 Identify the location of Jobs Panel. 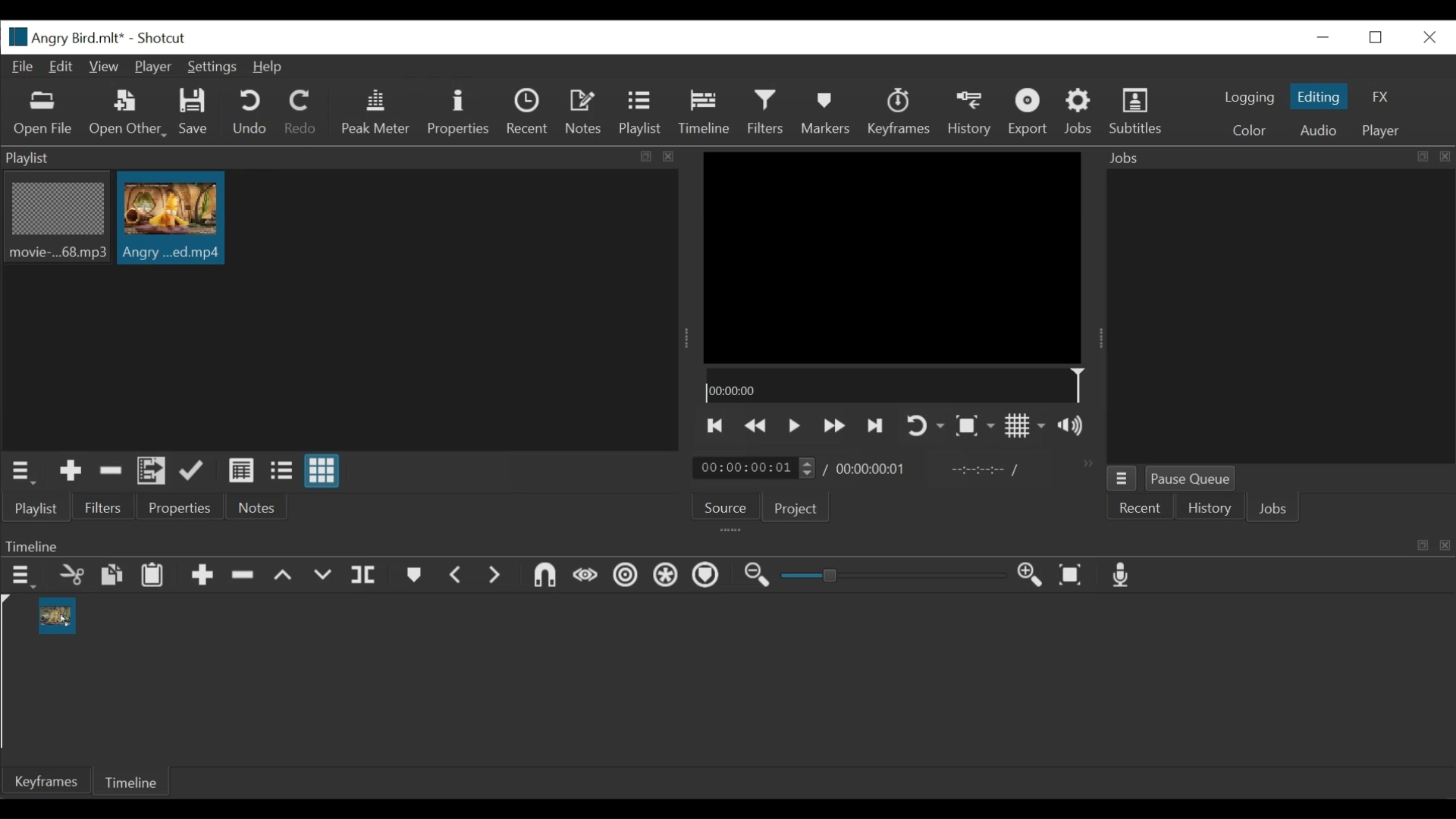
(1280, 318).